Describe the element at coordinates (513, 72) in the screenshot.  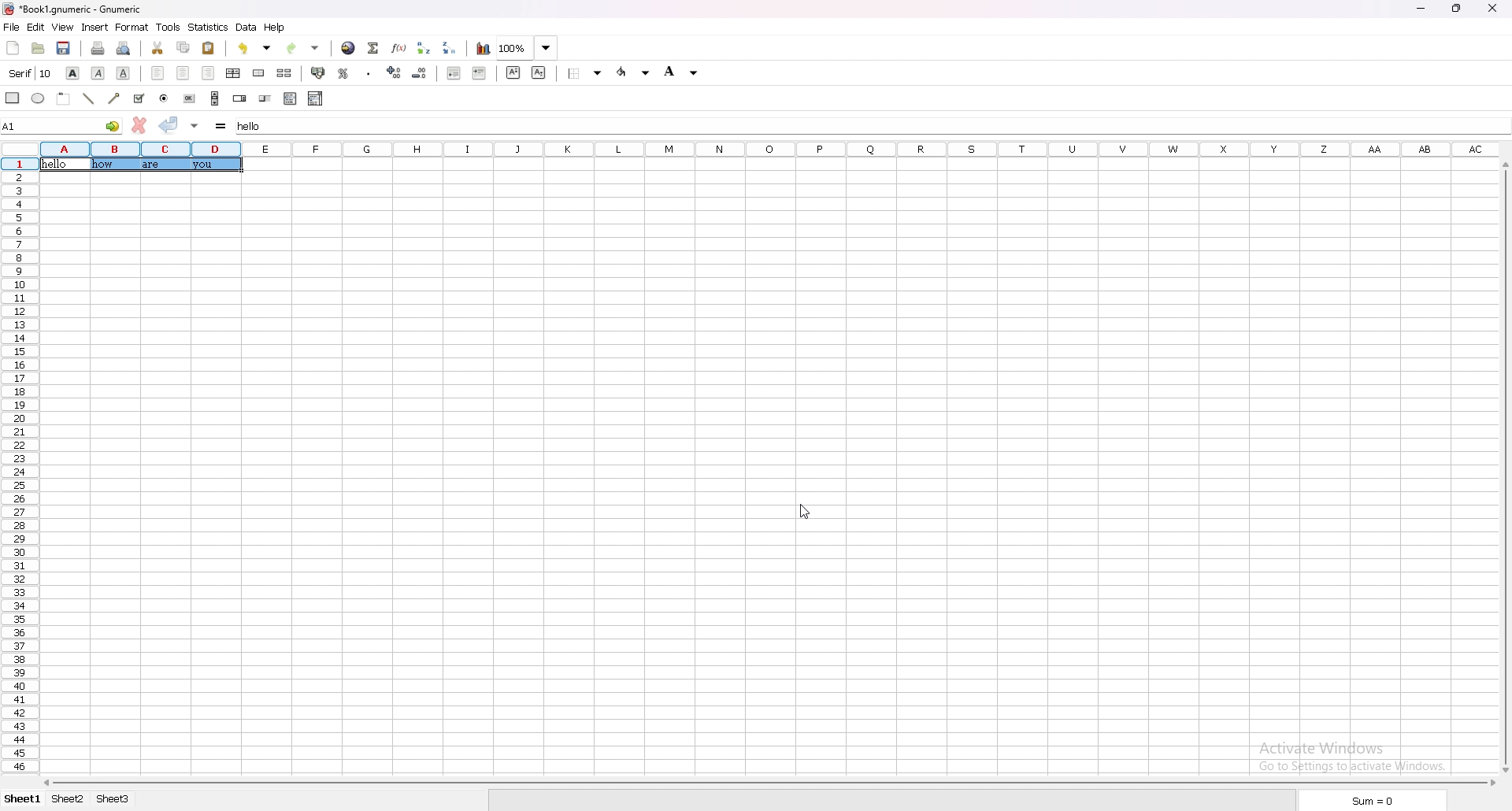
I see `superscript` at that location.